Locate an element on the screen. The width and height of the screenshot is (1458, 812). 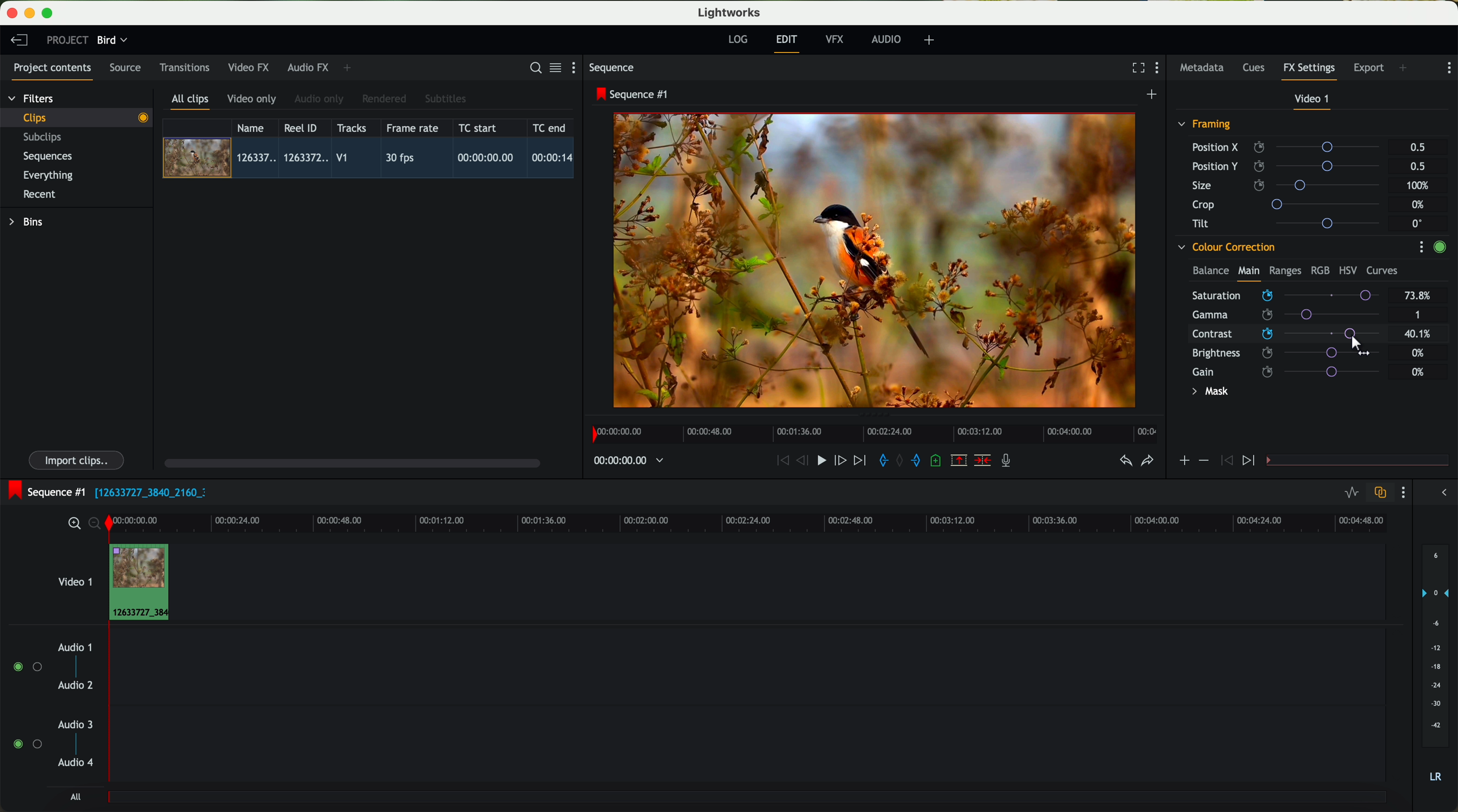
tilt is located at coordinates (1291, 223).